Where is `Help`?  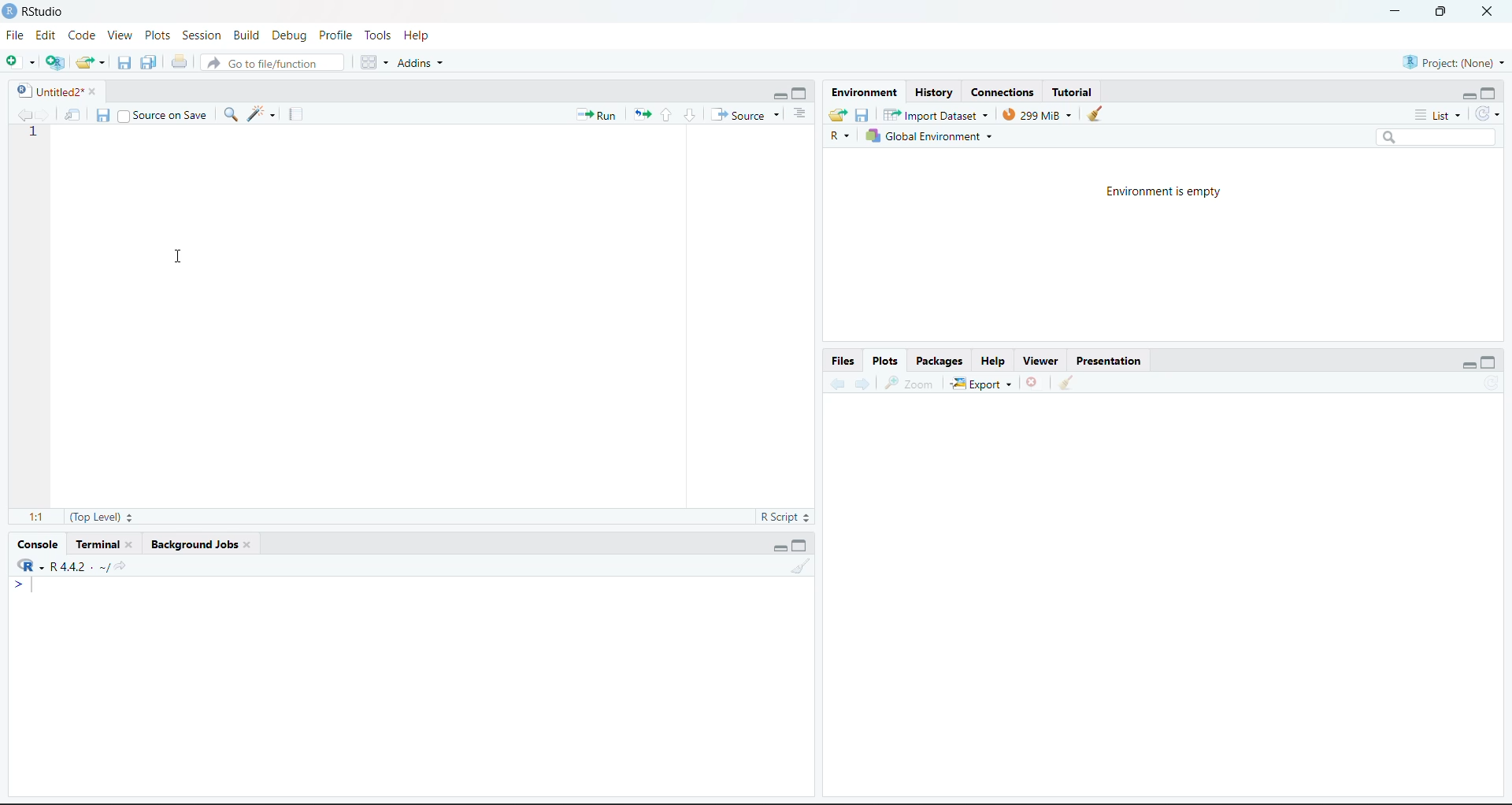 Help is located at coordinates (421, 36).